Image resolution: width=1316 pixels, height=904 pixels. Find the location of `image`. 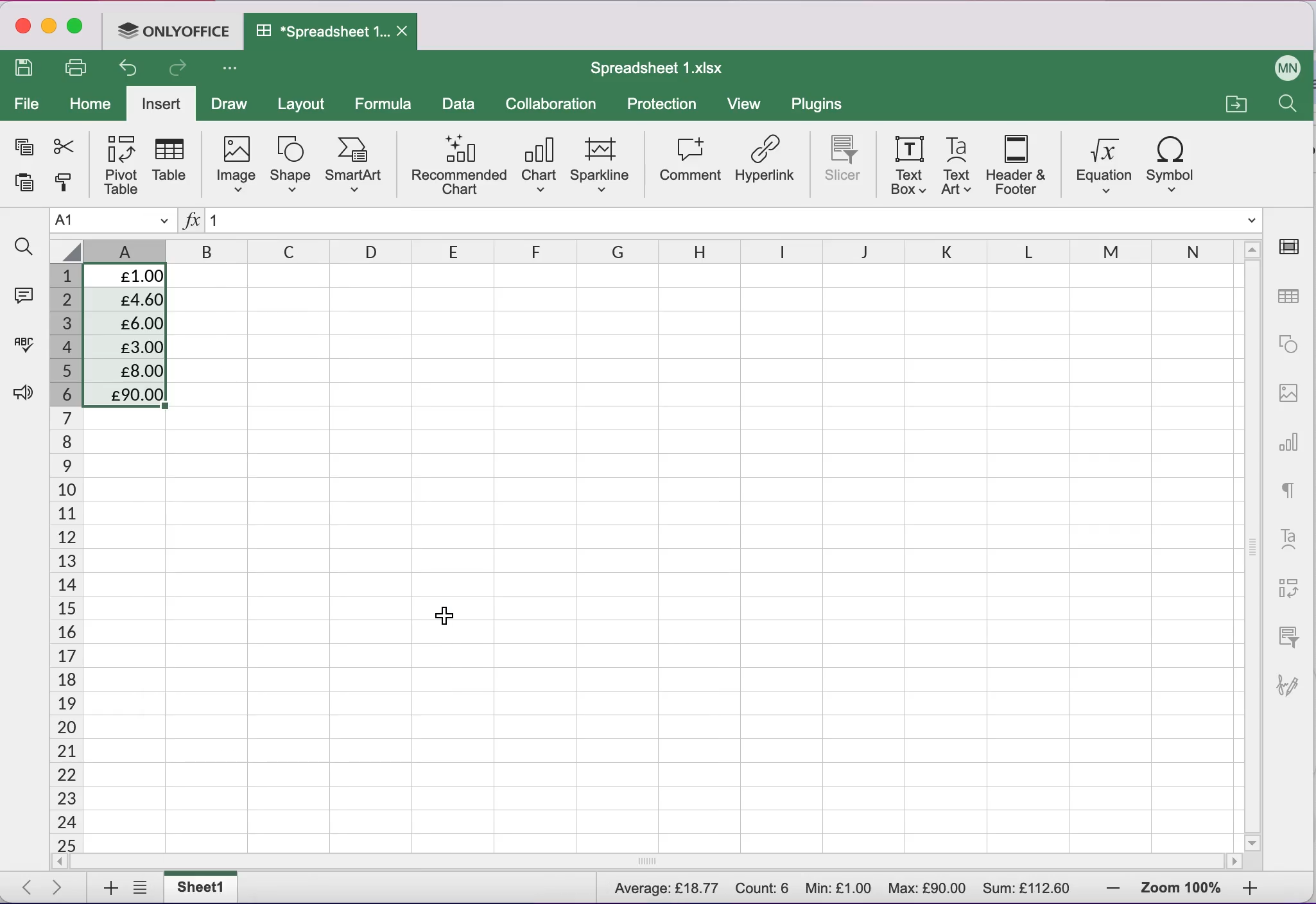

image is located at coordinates (1290, 392).